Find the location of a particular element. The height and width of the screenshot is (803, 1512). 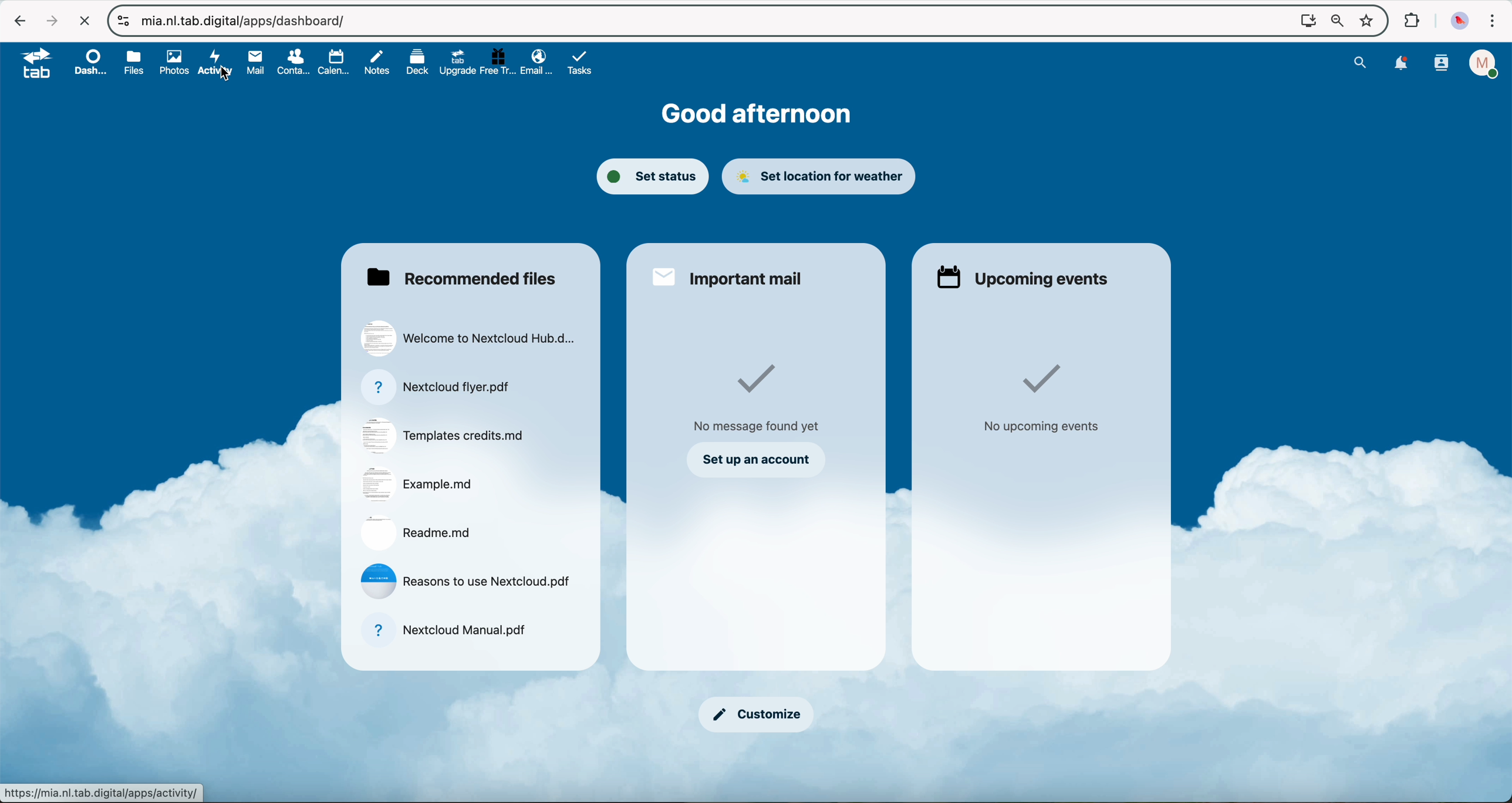

customize and control Google Chrome is located at coordinates (1493, 22).